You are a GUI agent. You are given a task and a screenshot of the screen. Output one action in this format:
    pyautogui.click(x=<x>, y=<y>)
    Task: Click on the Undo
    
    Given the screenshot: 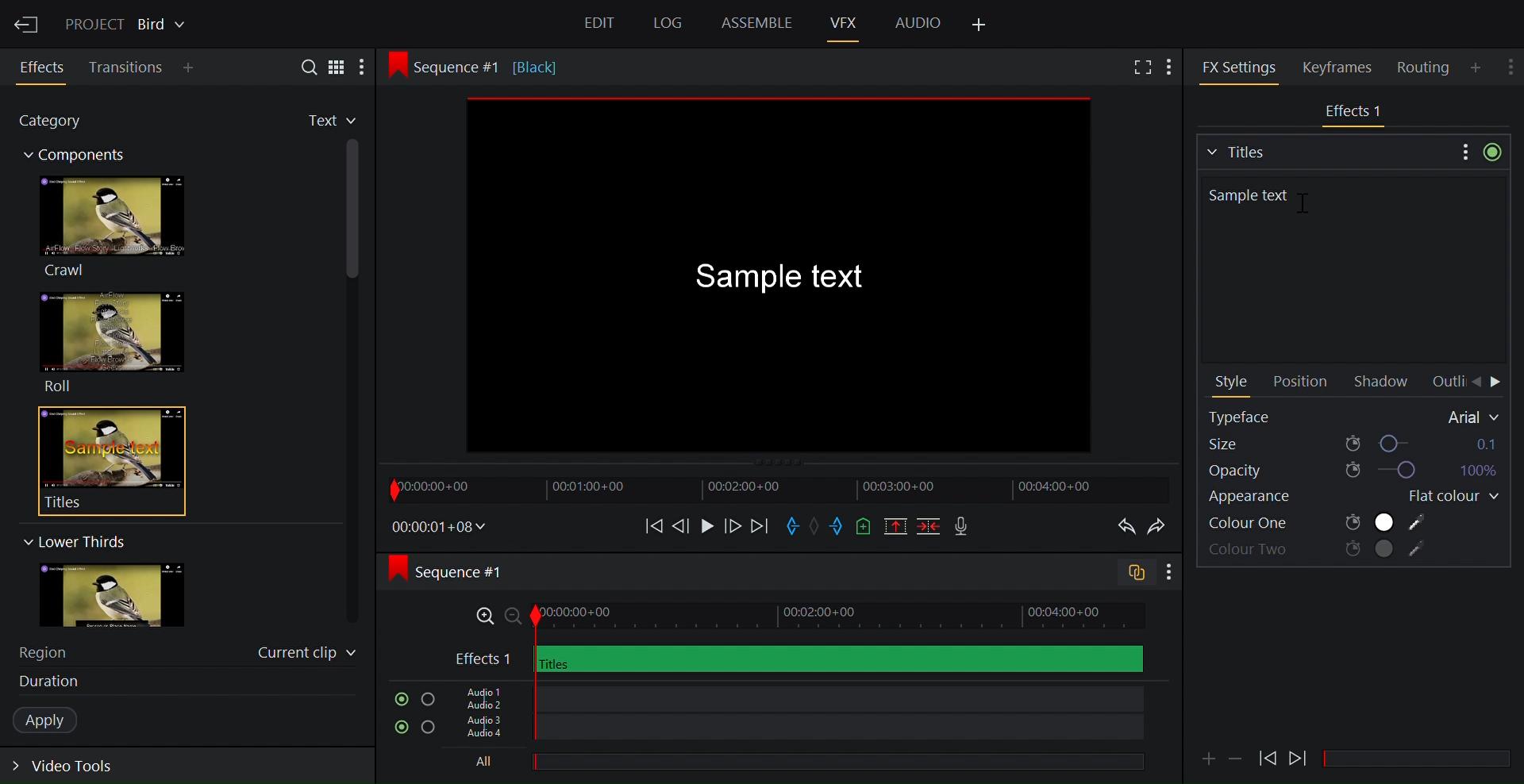 What is the action you would take?
    pyautogui.click(x=1122, y=527)
    